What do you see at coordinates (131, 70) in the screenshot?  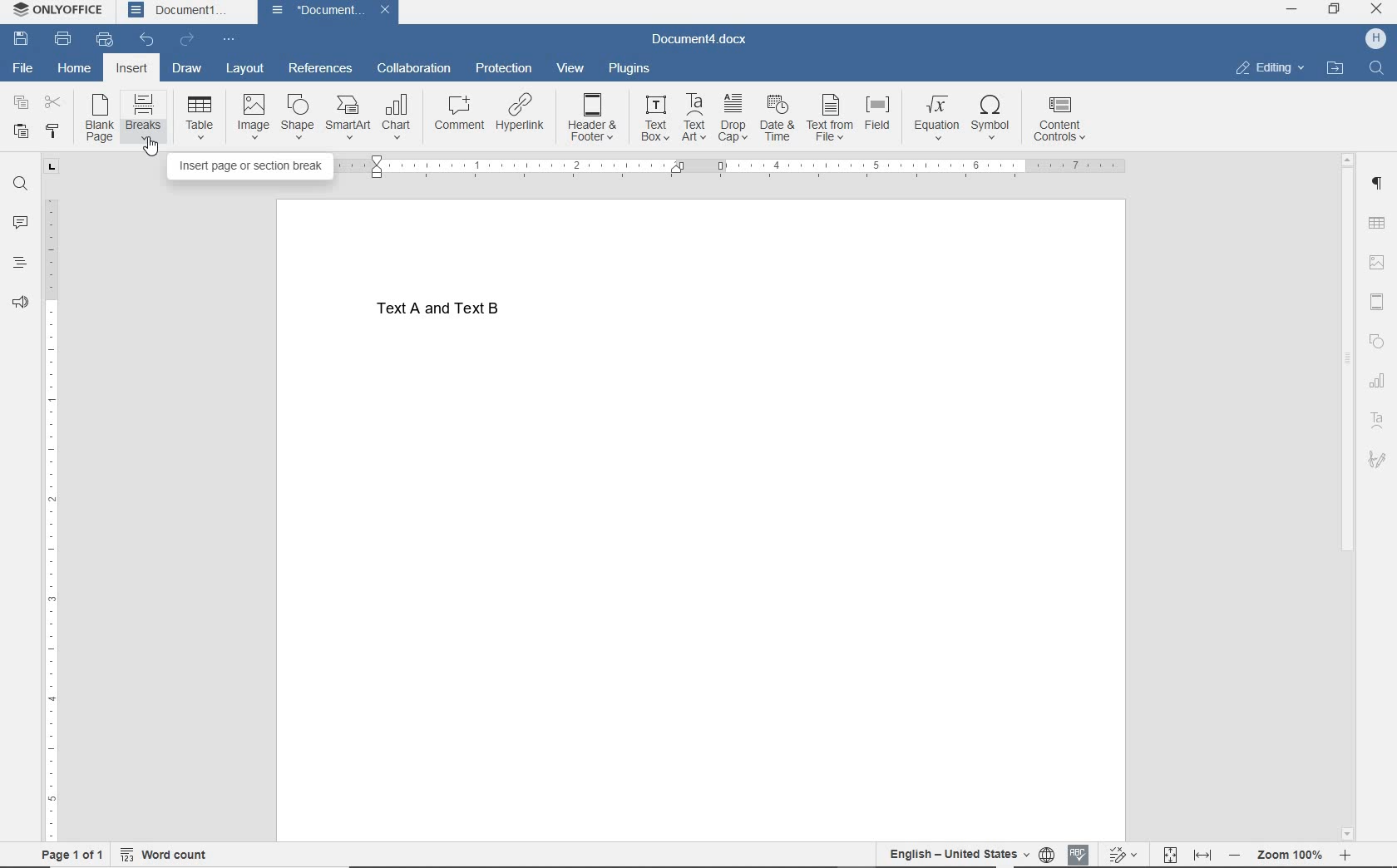 I see `INSERT` at bounding box center [131, 70].